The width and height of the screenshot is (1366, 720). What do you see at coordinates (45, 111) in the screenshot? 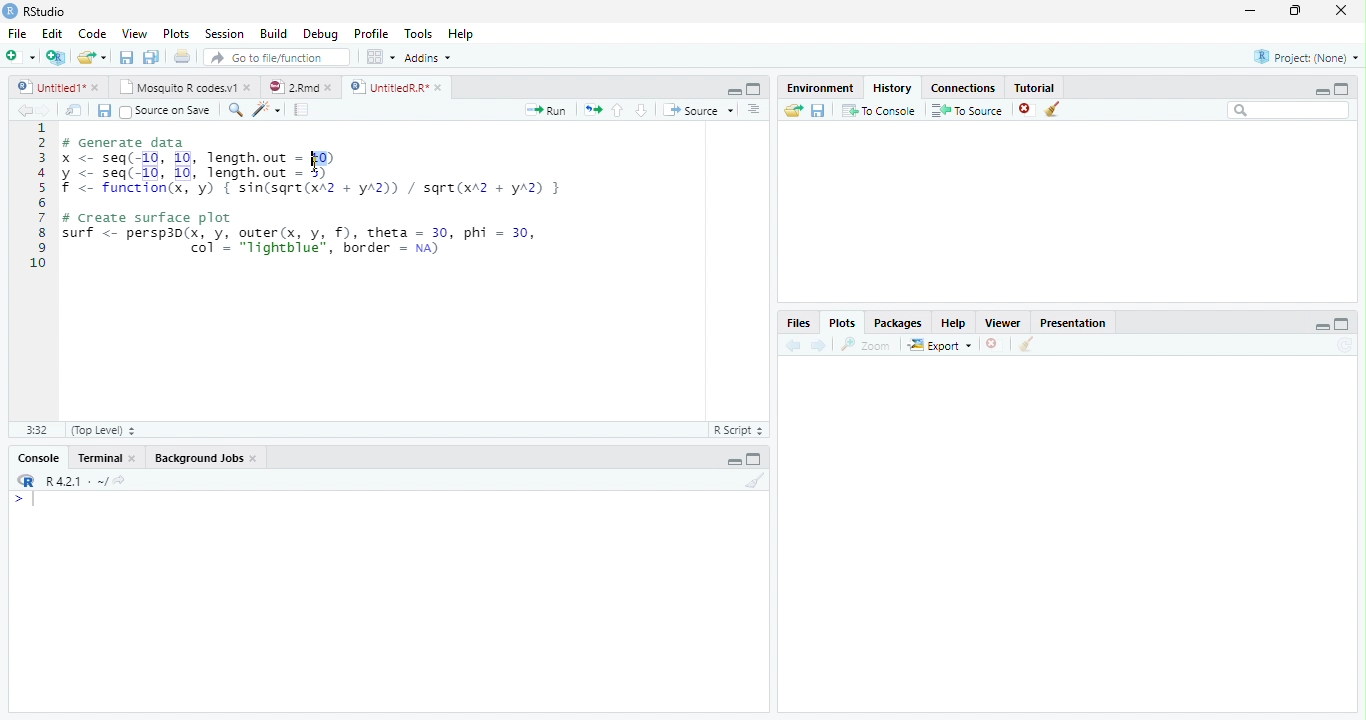
I see `Go forward to next source location` at bounding box center [45, 111].